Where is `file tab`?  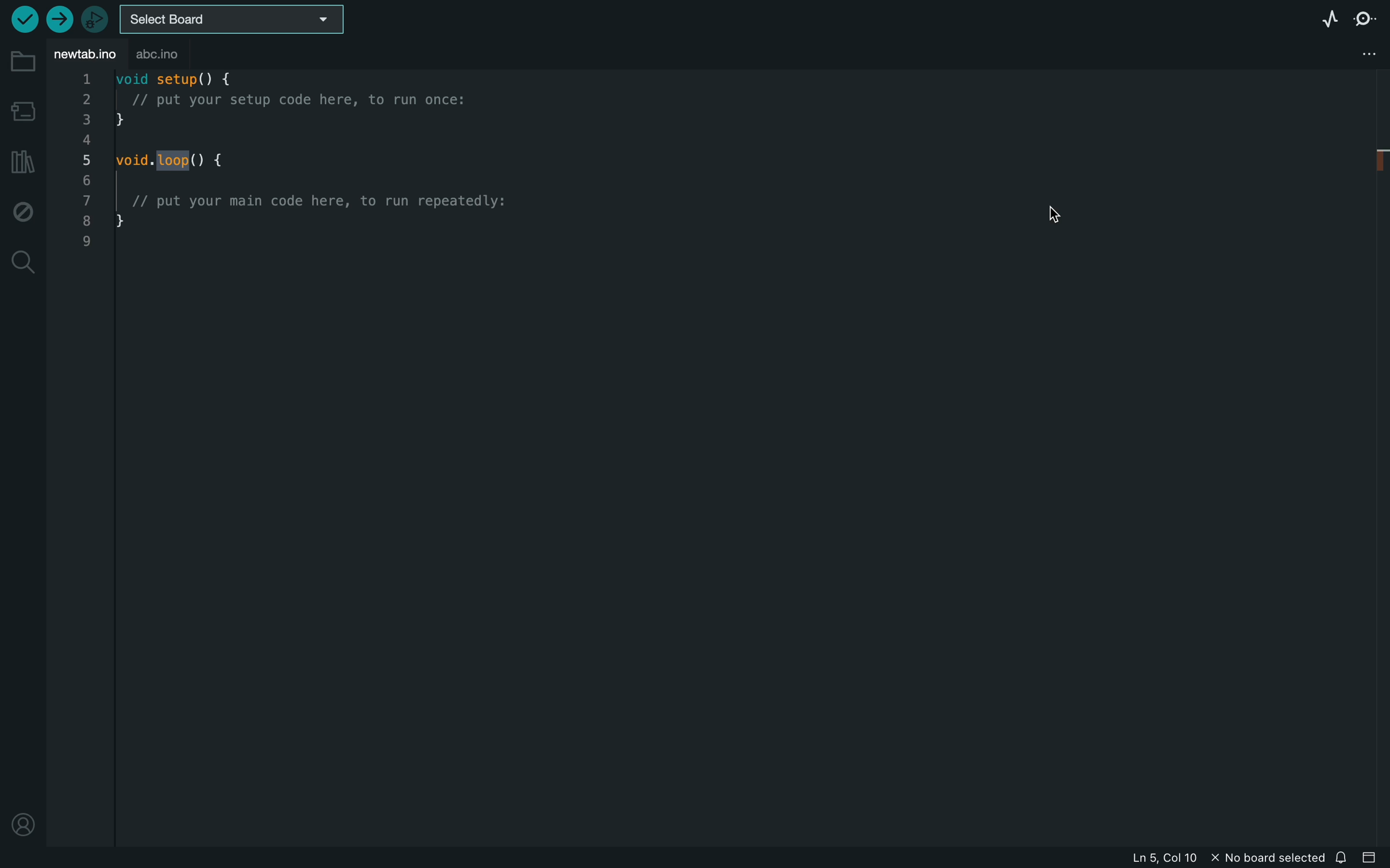
file tab is located at coordinates (86, 55).